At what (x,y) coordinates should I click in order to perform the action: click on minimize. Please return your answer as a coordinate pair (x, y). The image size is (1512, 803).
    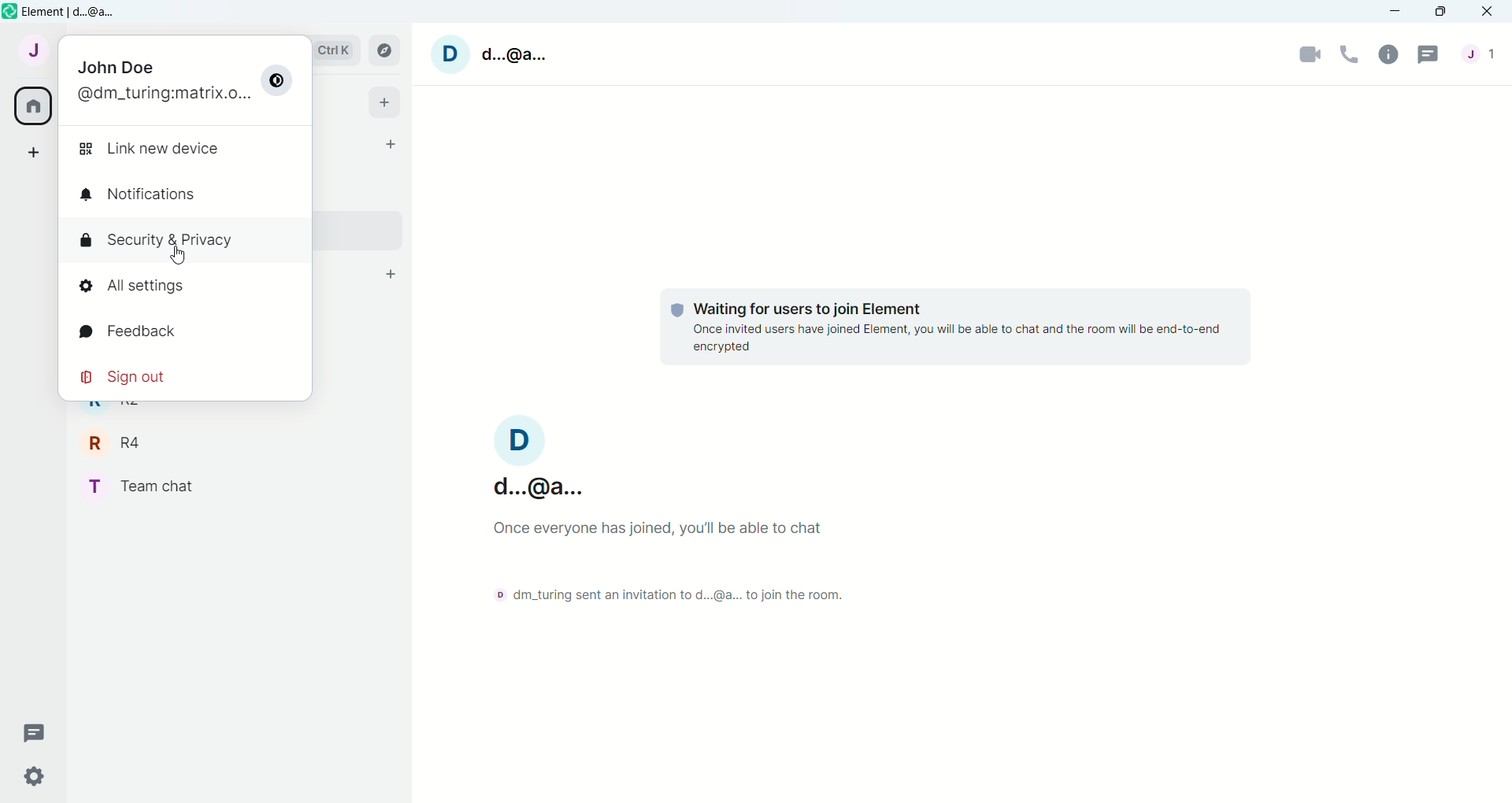
    Looking at the image, I should click on (1395, 11).